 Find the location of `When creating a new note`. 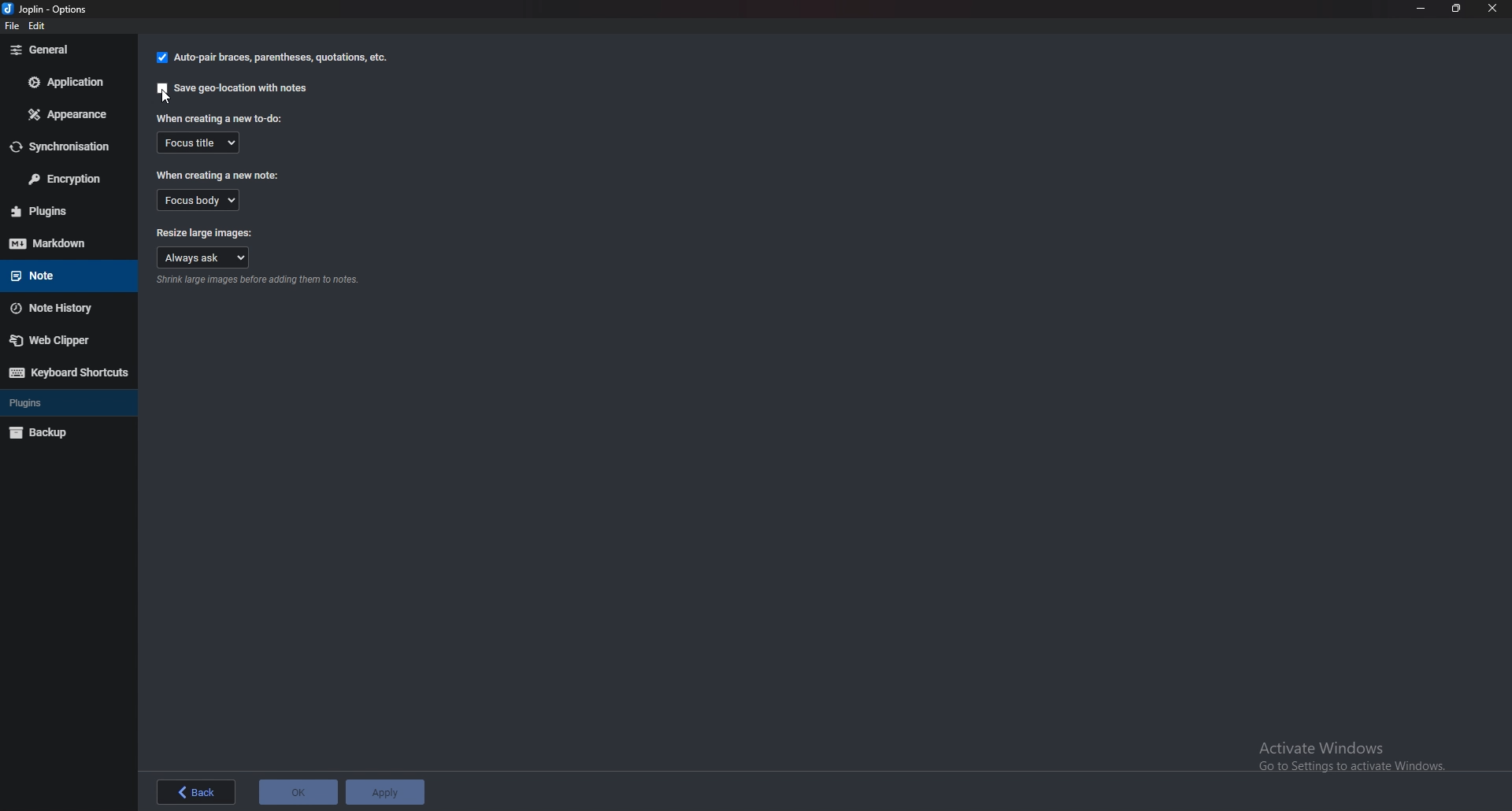

When creating a new note is located at coordinates (222, 175).